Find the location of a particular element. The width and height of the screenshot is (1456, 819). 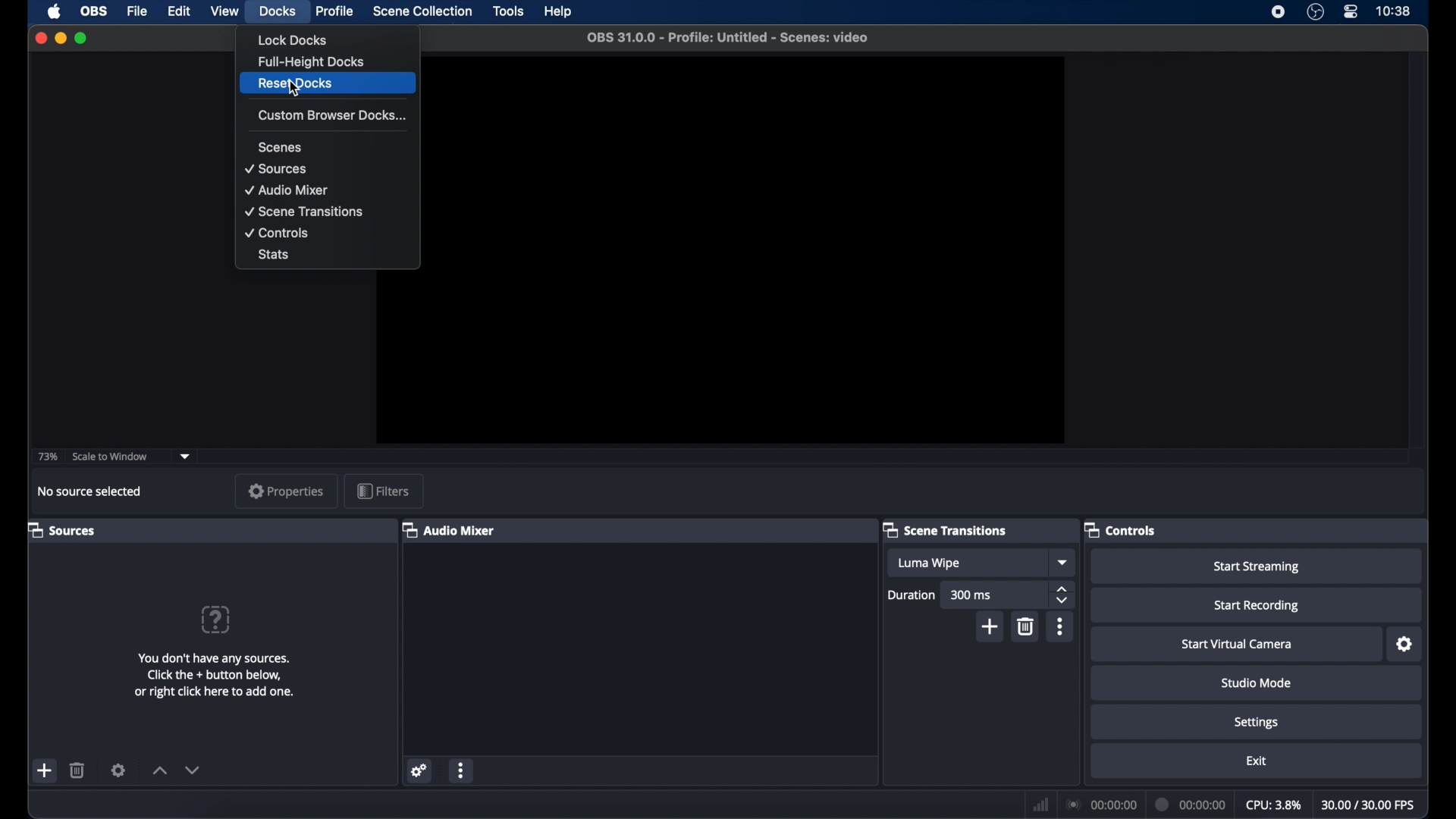

obs is located at coordinates (93, 11).